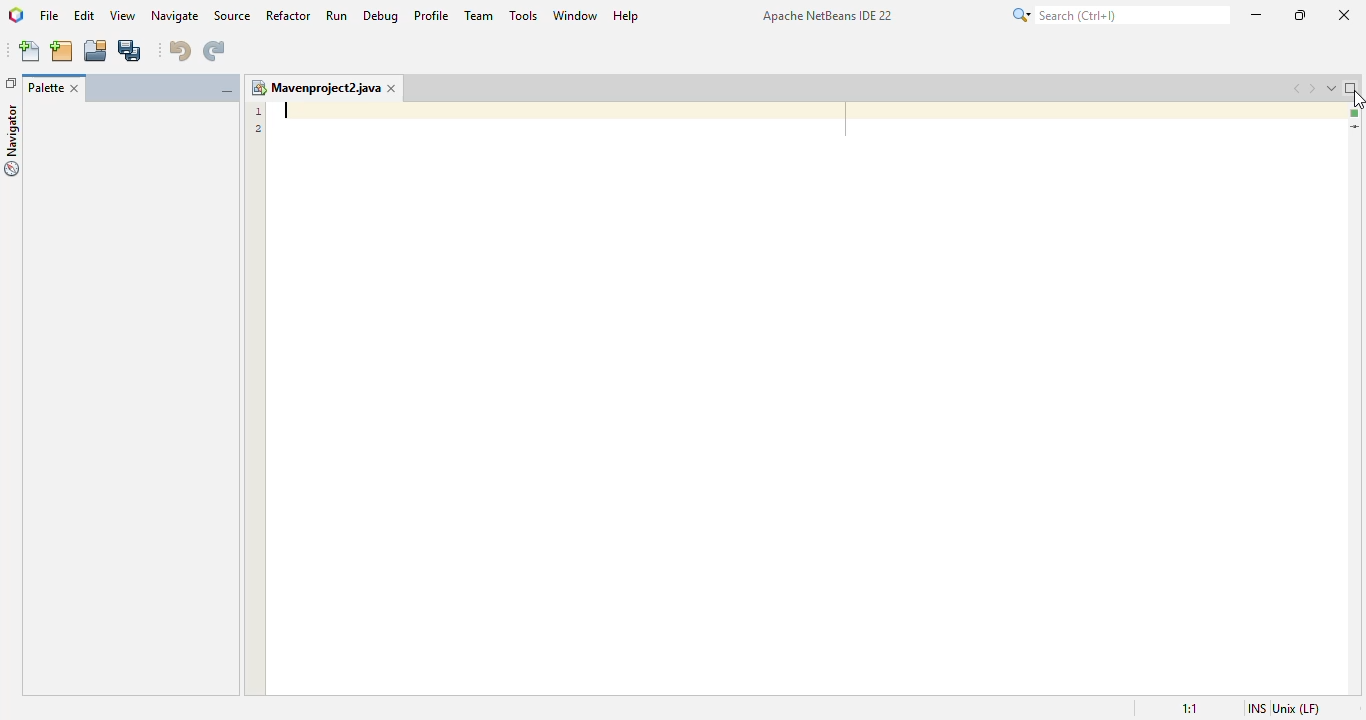 The width and height of the screenshot is (1366, 720). I want to click on debug, so click(381, 16).